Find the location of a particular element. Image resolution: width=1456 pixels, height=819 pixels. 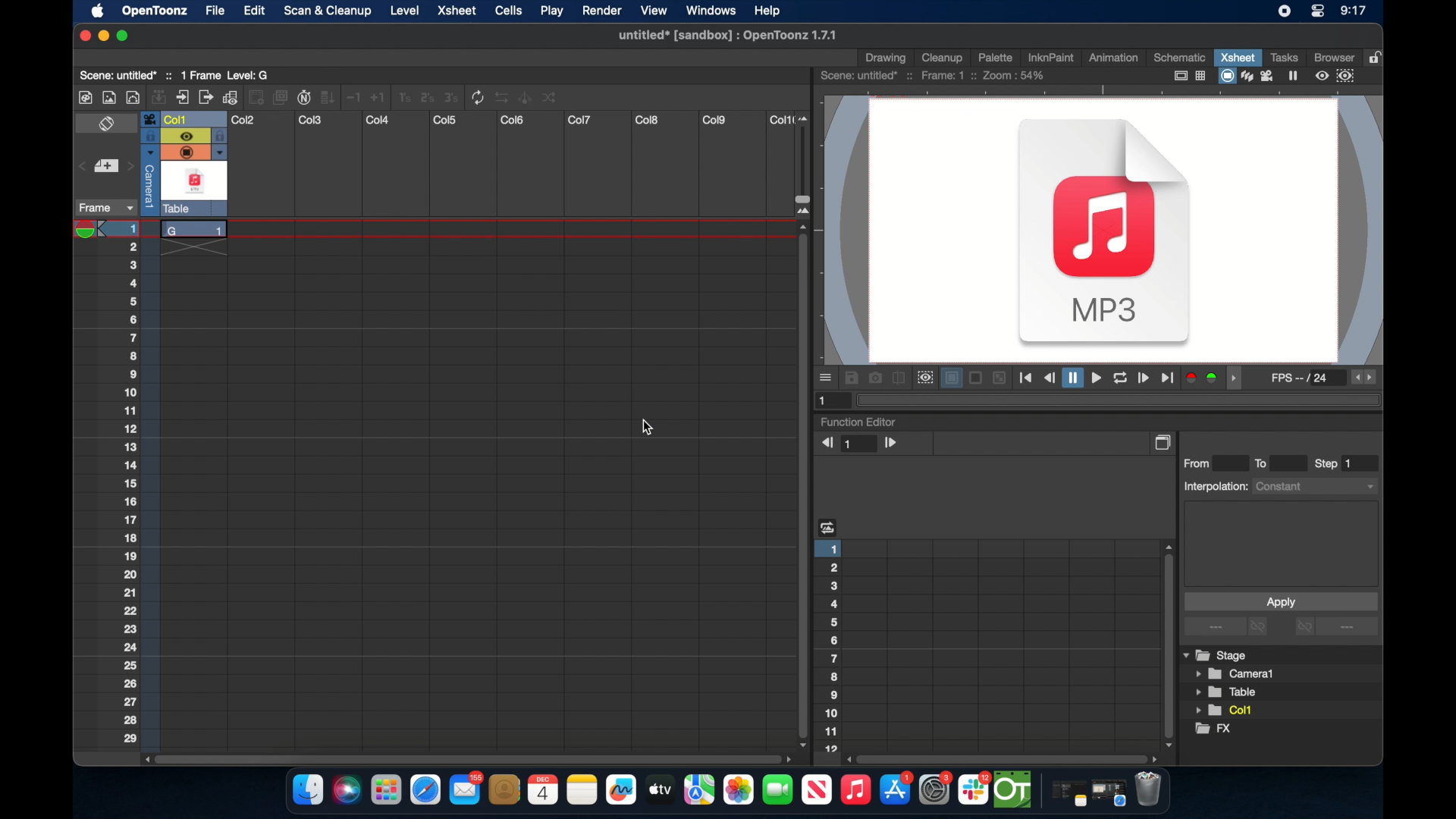

help is located at coordinates (765, 9).